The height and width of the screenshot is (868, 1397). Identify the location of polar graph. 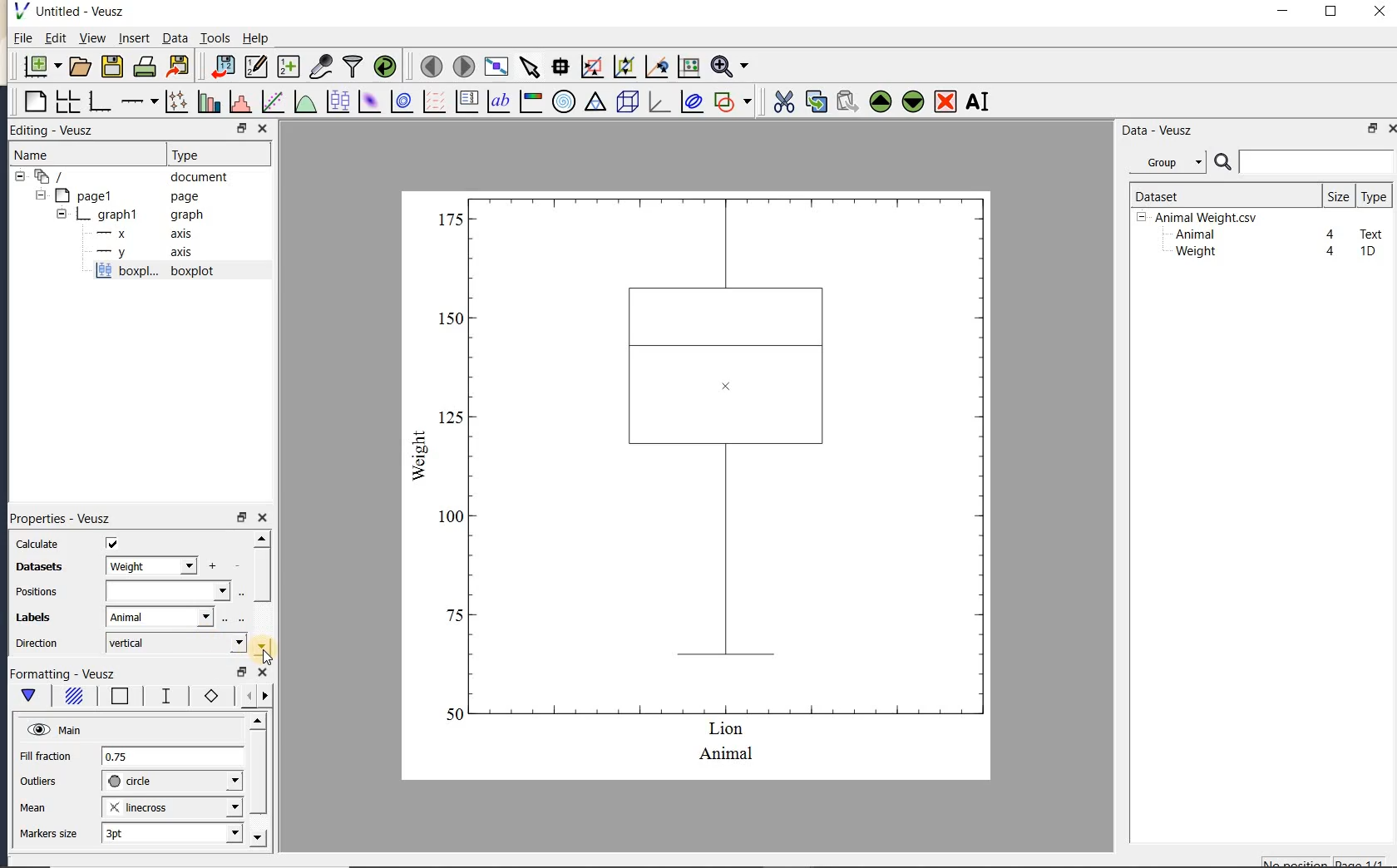
(563, 101).